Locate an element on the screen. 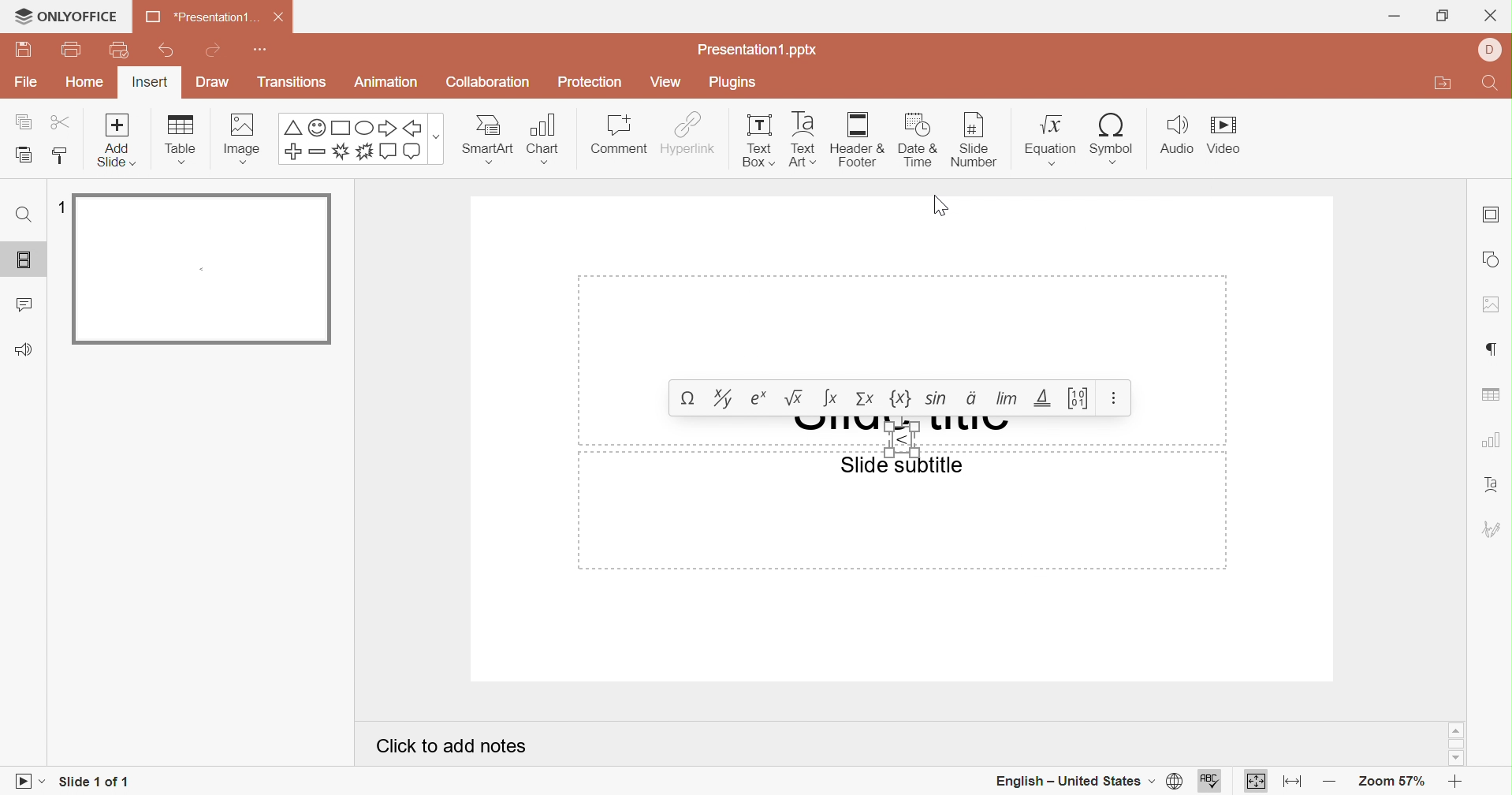 The height and width of the screenshot is (795, 1512). Slide number is located at coordinates (977, 139).